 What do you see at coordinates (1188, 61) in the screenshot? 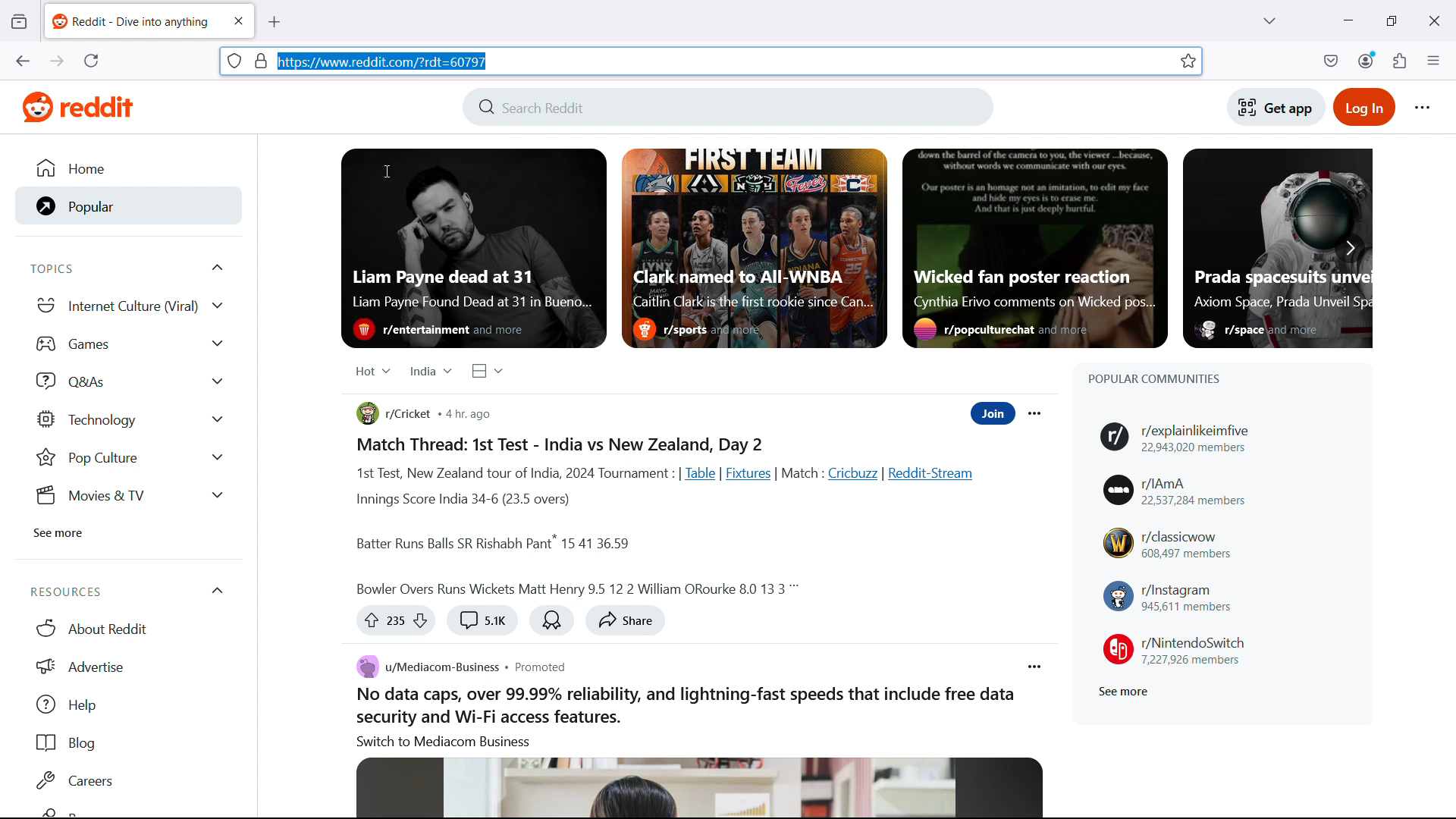
I see `bookmark this tab` at bounding box center [1188, 61].